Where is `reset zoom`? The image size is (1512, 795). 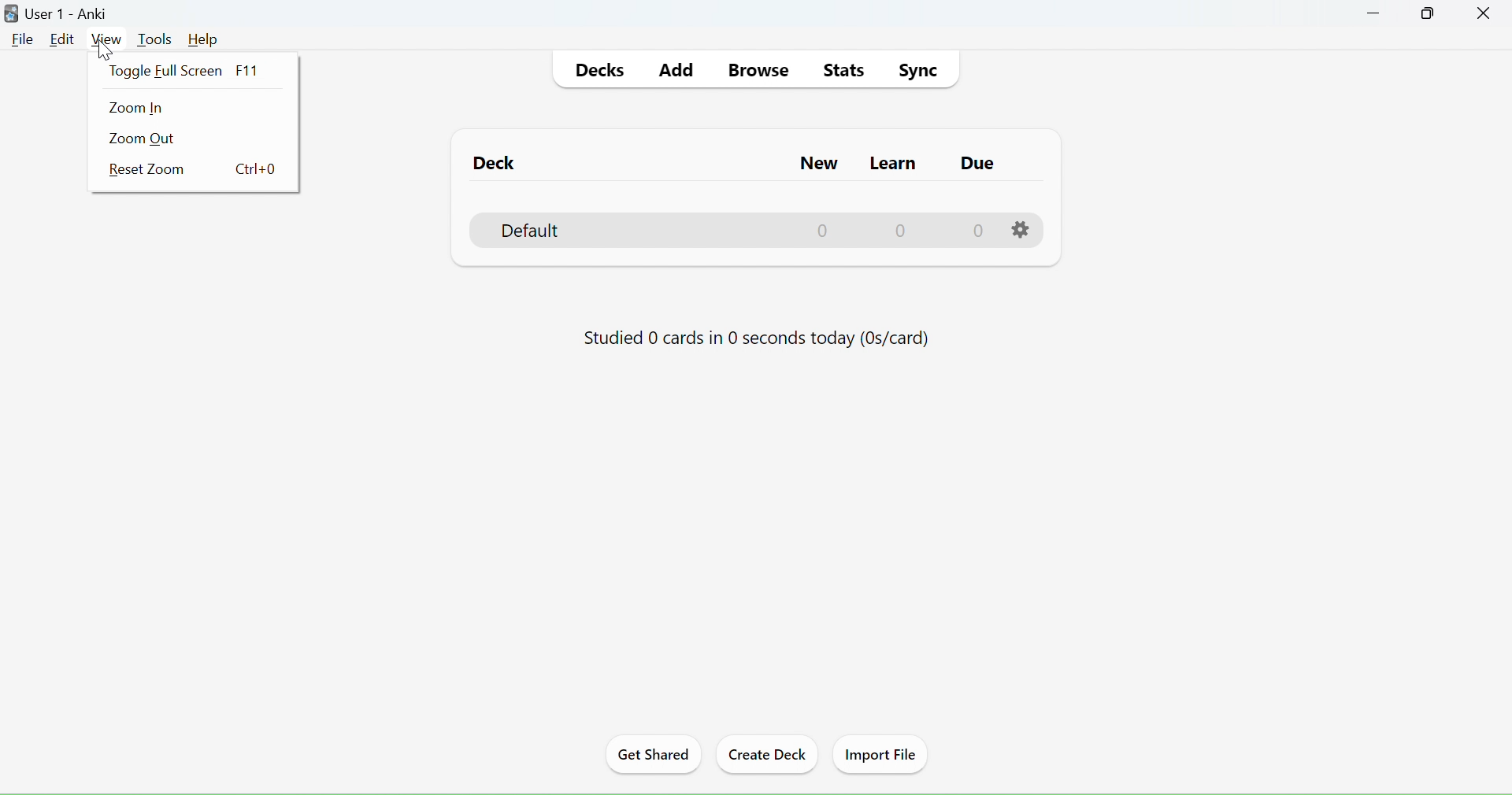
reset zoom is located at coordinates (195, 172).